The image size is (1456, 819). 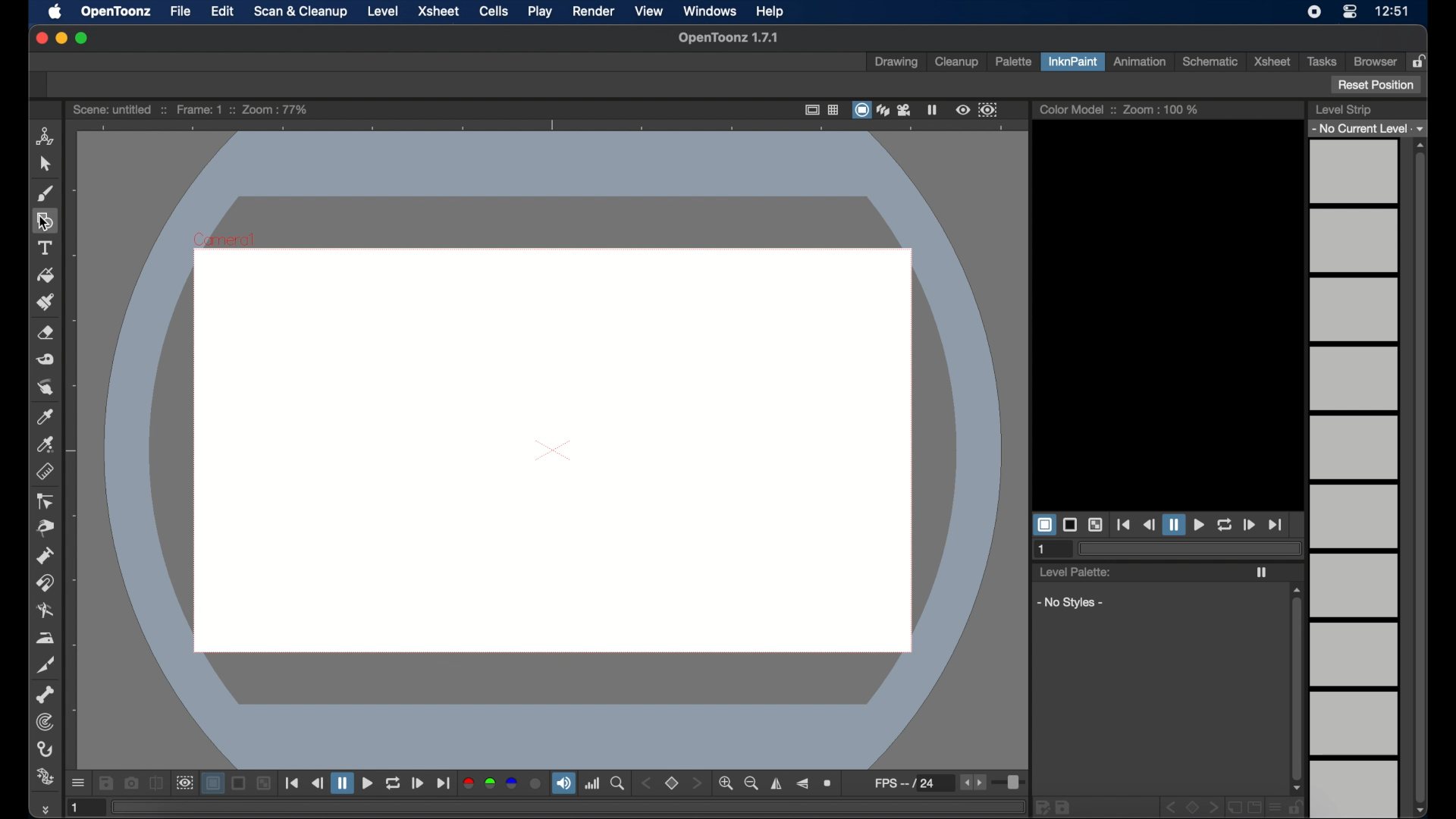 What do you see at coordinates (563, 783) in the screenshot?
I see `volume` at bounding box center [563, 783].